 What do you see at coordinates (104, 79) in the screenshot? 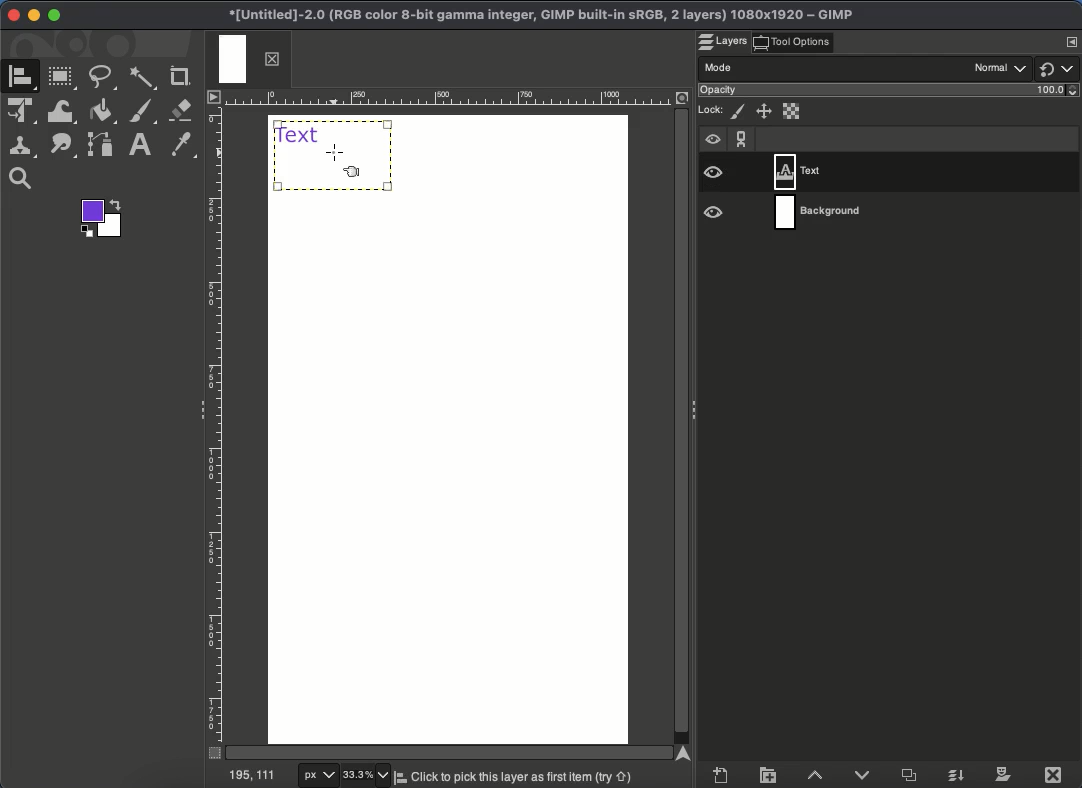
I see `Freehand tool` at bounding box center [104, 79].